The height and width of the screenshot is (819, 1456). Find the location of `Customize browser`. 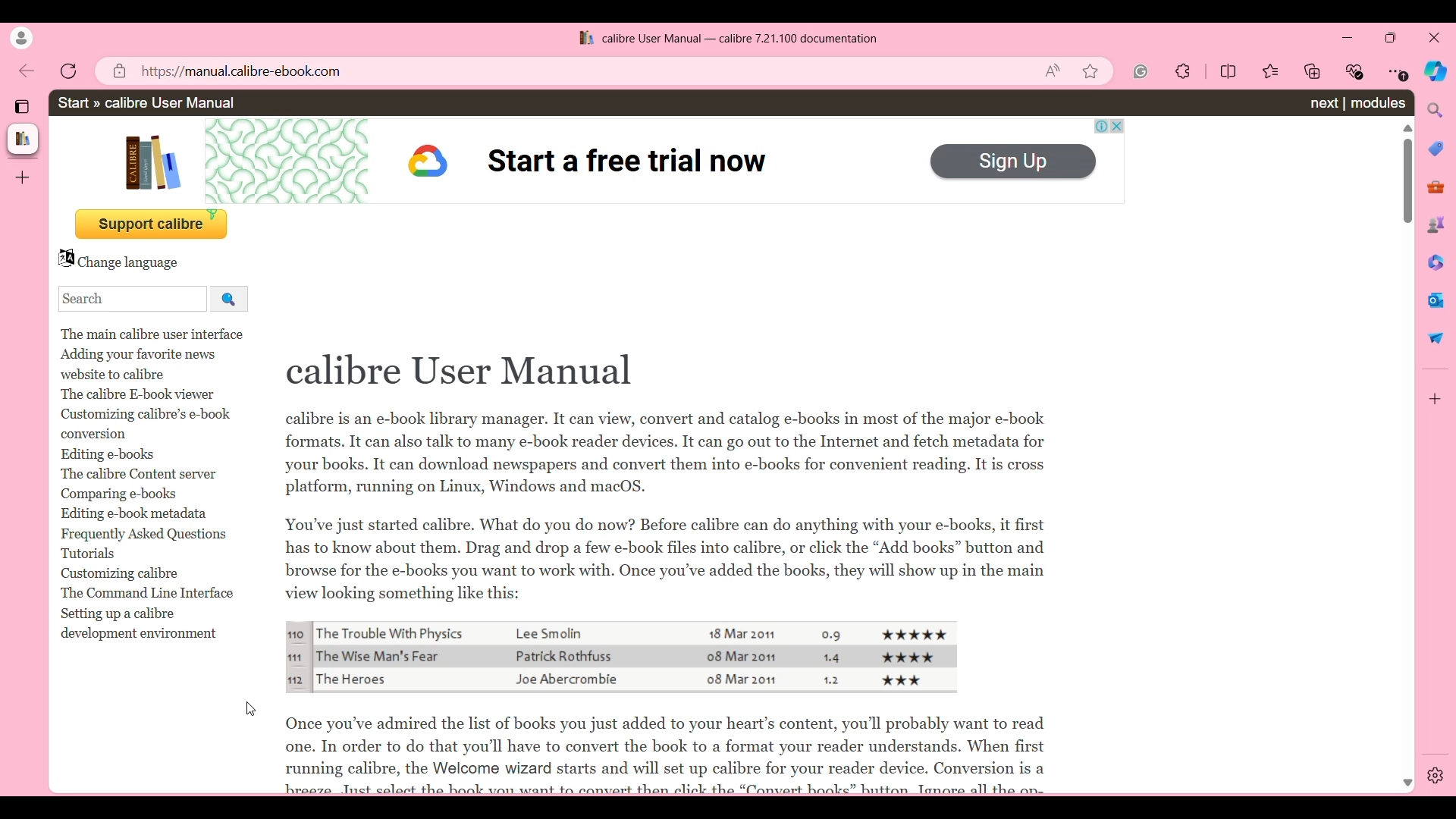

Customize browser is located at coordinates (1436, 399).